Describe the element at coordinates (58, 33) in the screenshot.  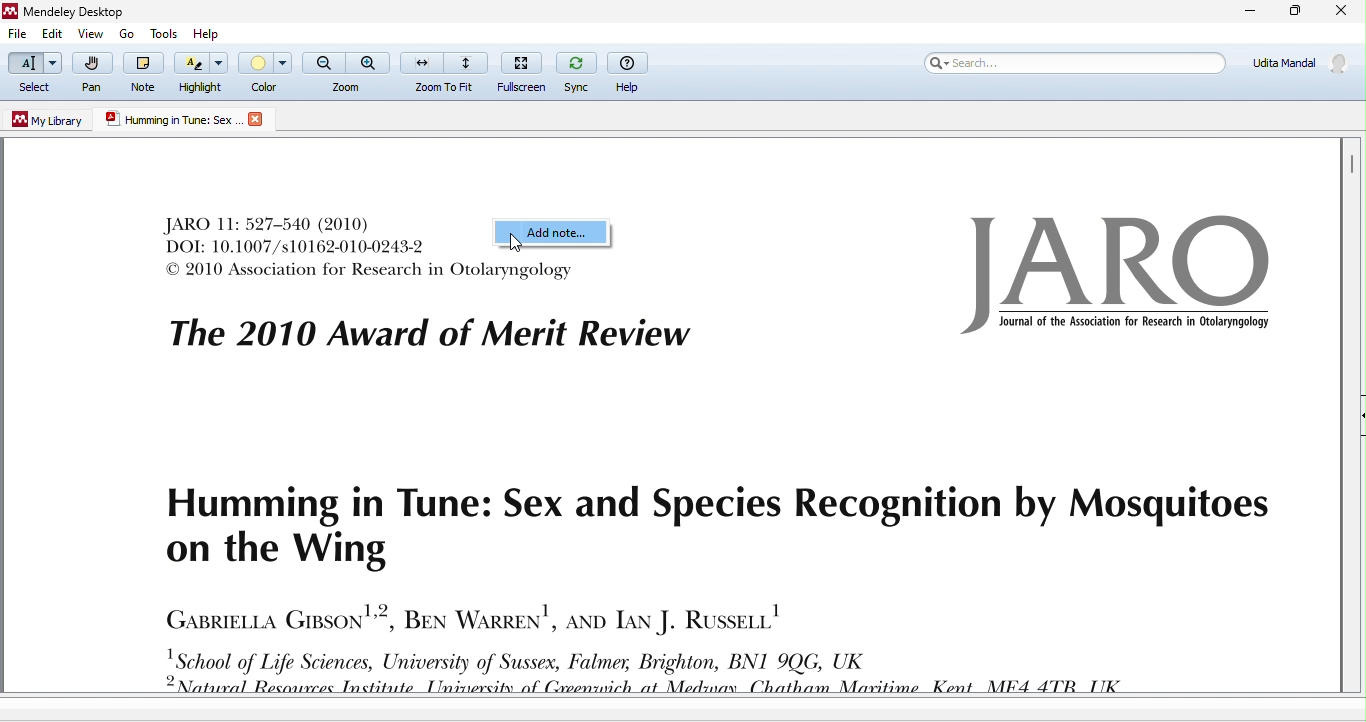
I see `edit` at that location.